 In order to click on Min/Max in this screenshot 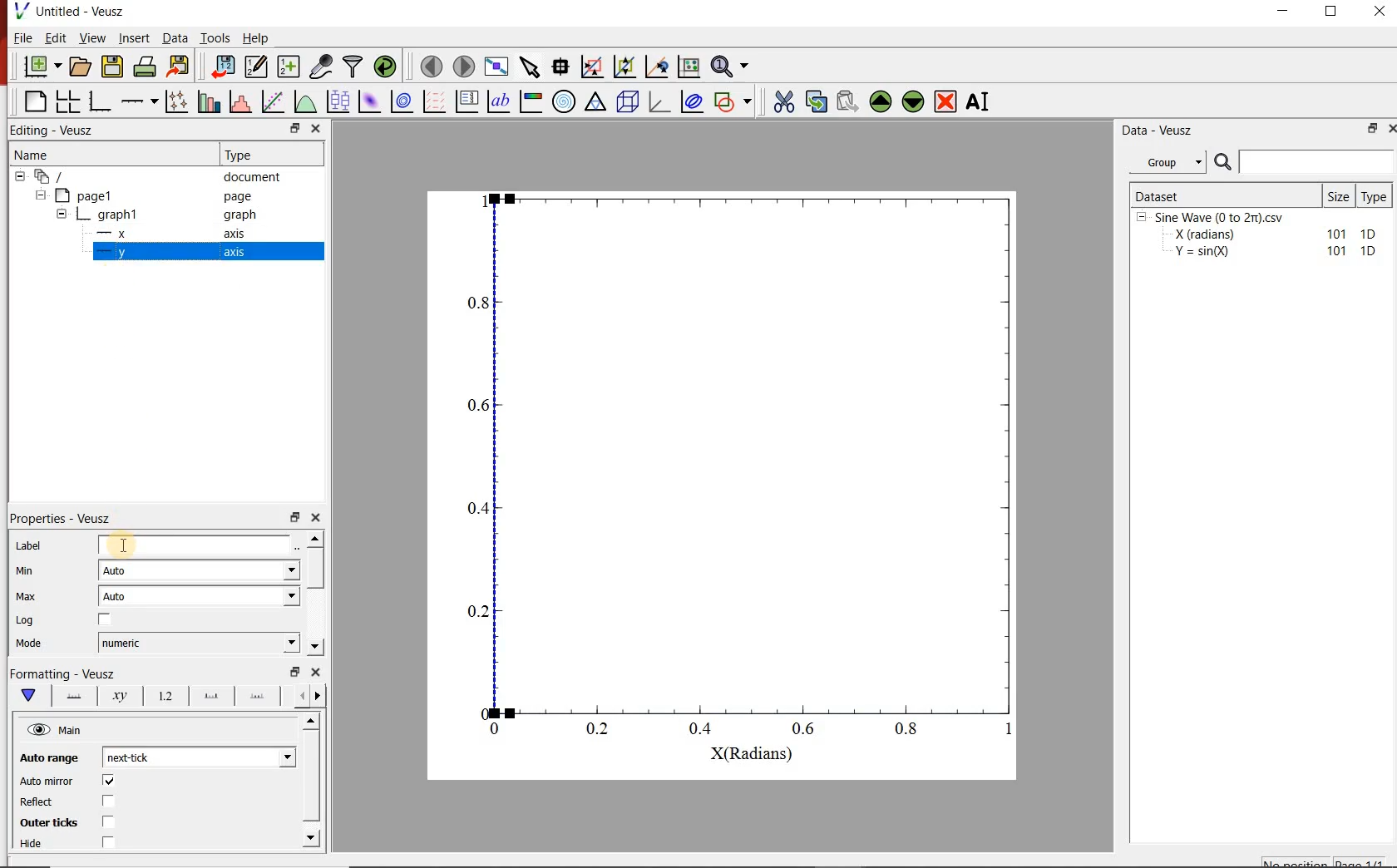, I will do `click(1370, 130)`.